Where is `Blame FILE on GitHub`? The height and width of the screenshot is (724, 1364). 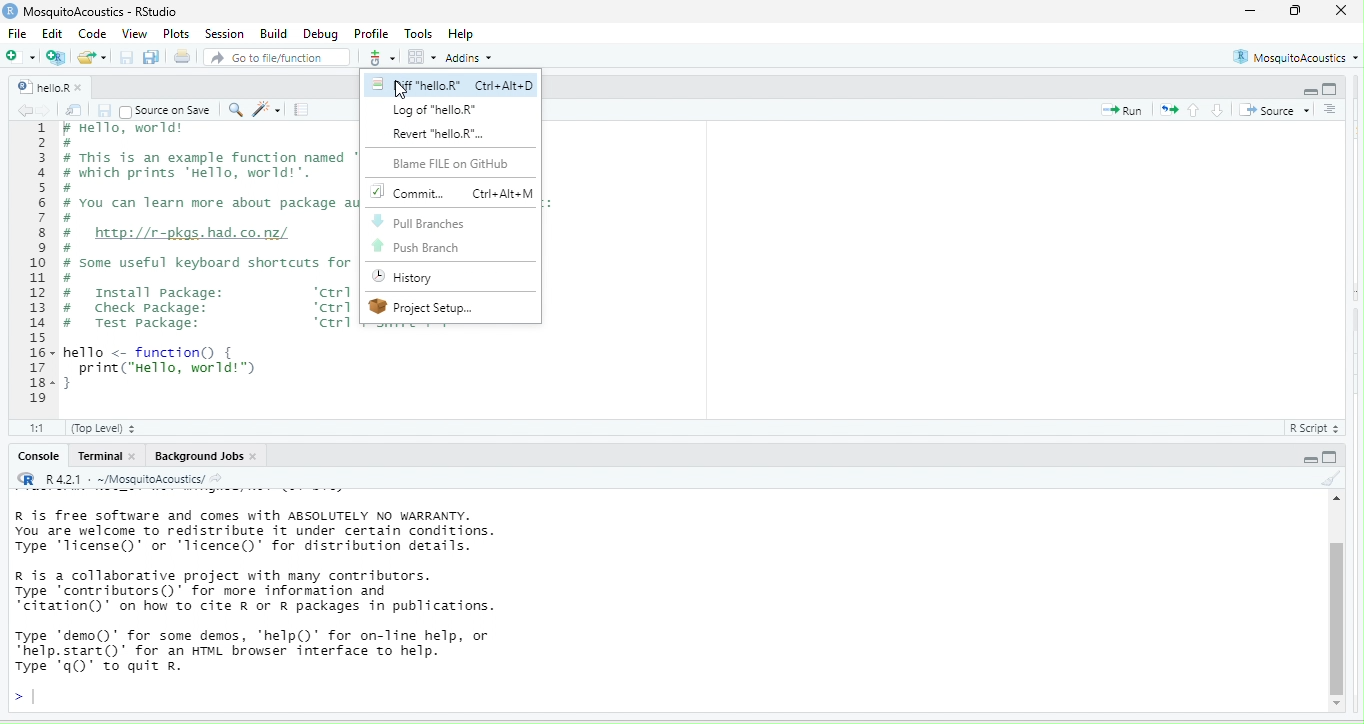 Blame FILE on GitHub is located at coordinates (451, 164).